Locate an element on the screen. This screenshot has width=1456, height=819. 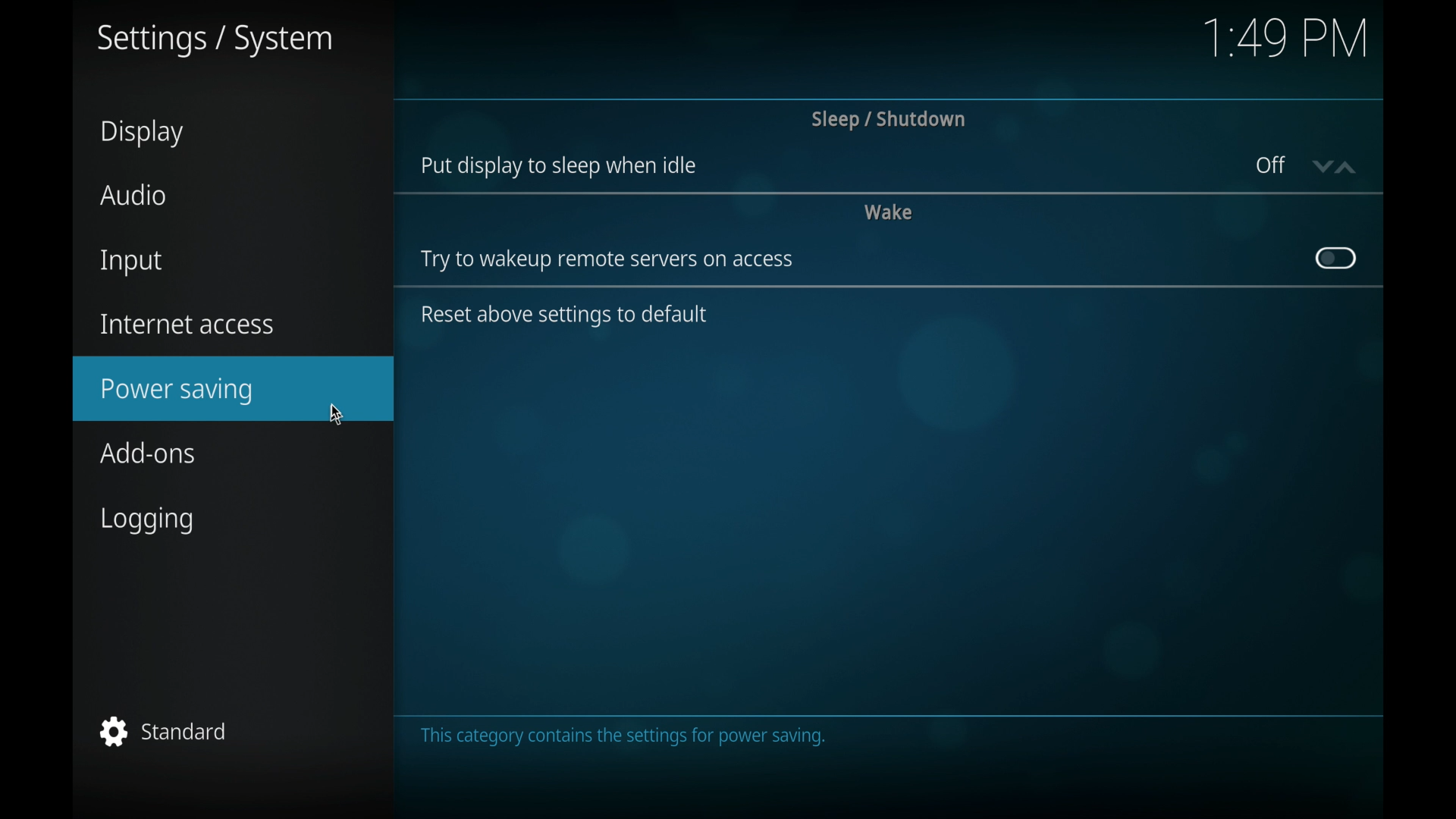
wake up remote servers on access is located at coordinates (606, 261).